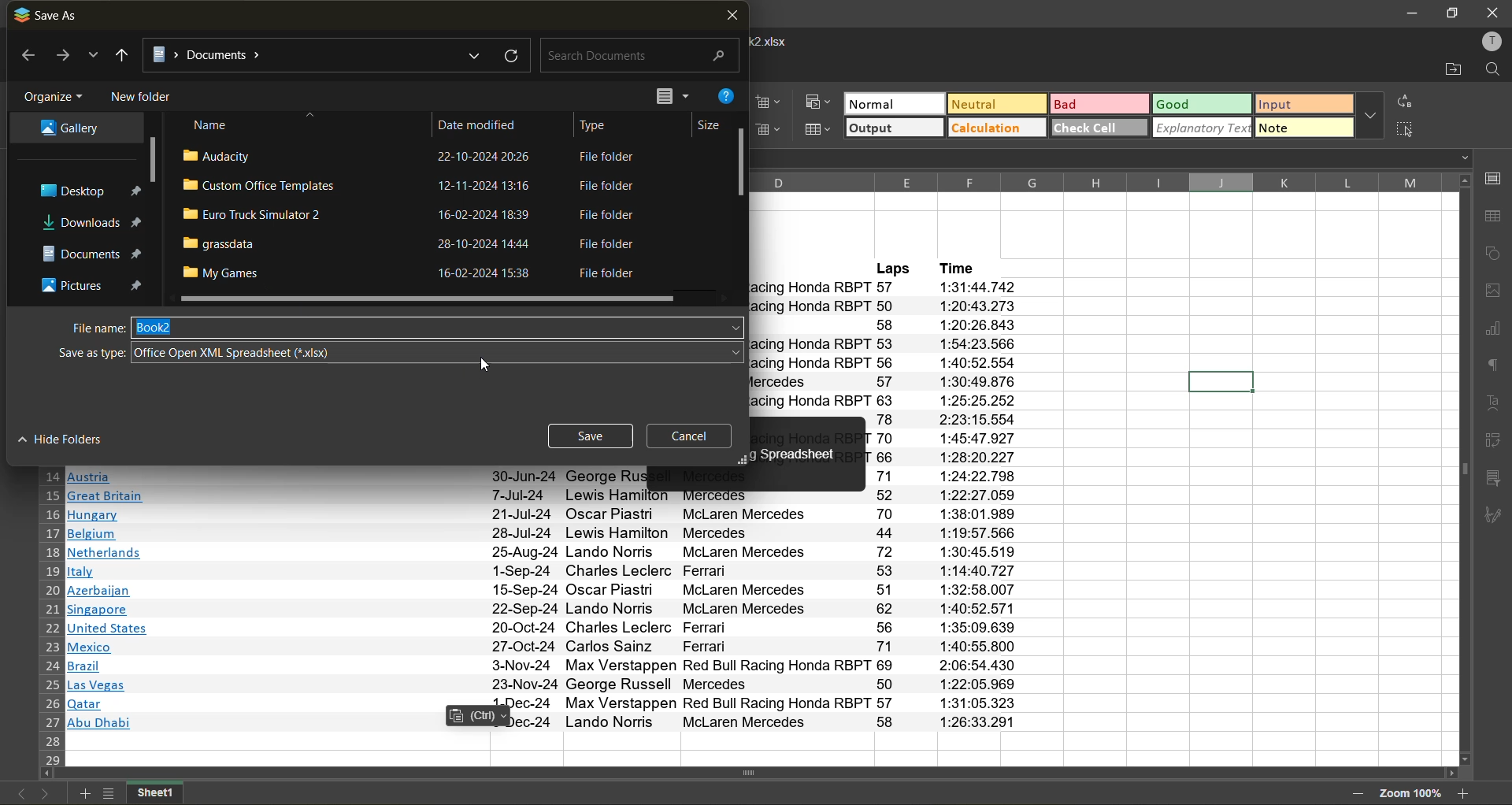  What do you see at coordinates (769, 102) in the screenshot?
I see `insert cells` at bounding box center [769, 102].